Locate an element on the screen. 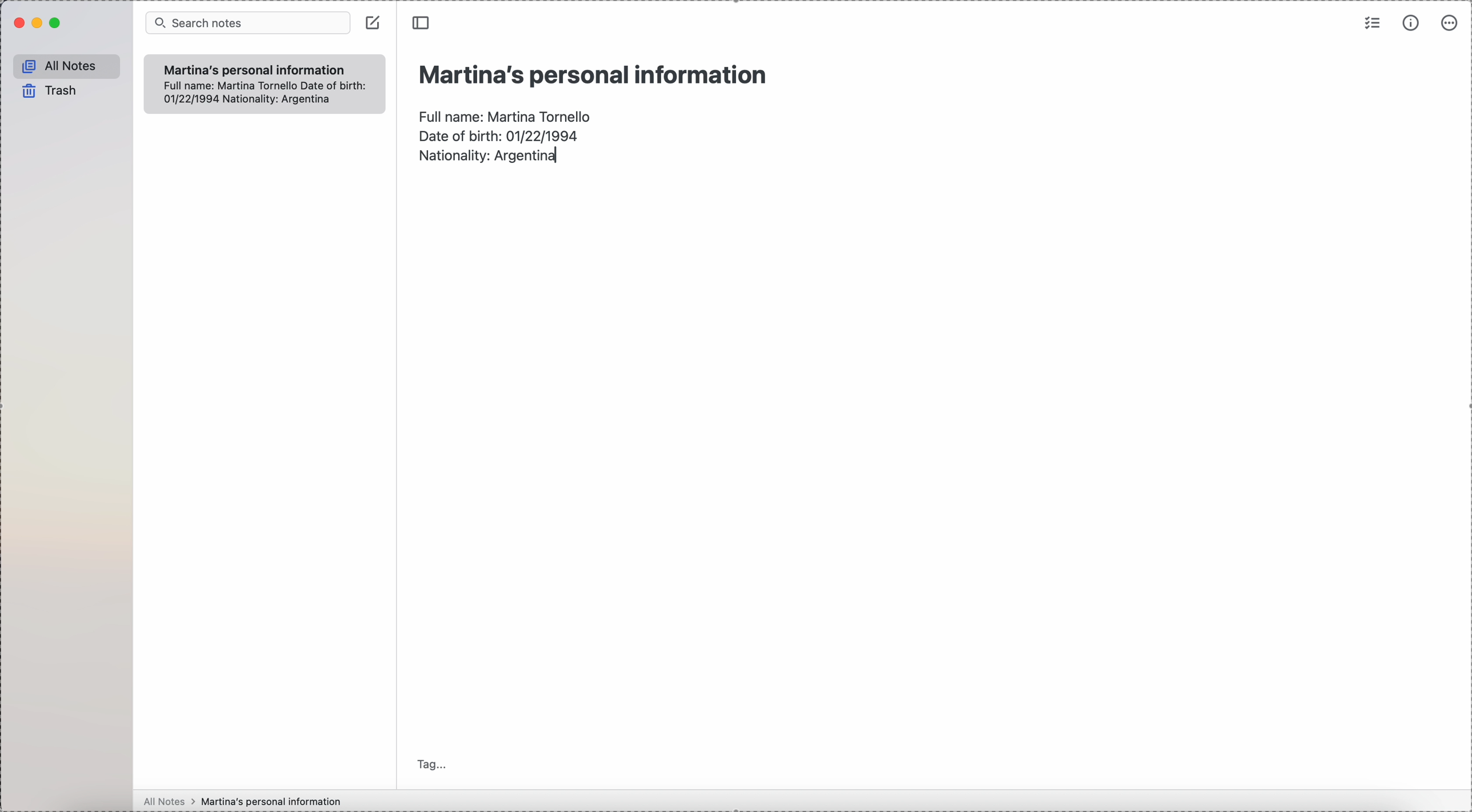 The height and width of the screenshot is (812, 1472). check list is located at coordinates (1371, 25).